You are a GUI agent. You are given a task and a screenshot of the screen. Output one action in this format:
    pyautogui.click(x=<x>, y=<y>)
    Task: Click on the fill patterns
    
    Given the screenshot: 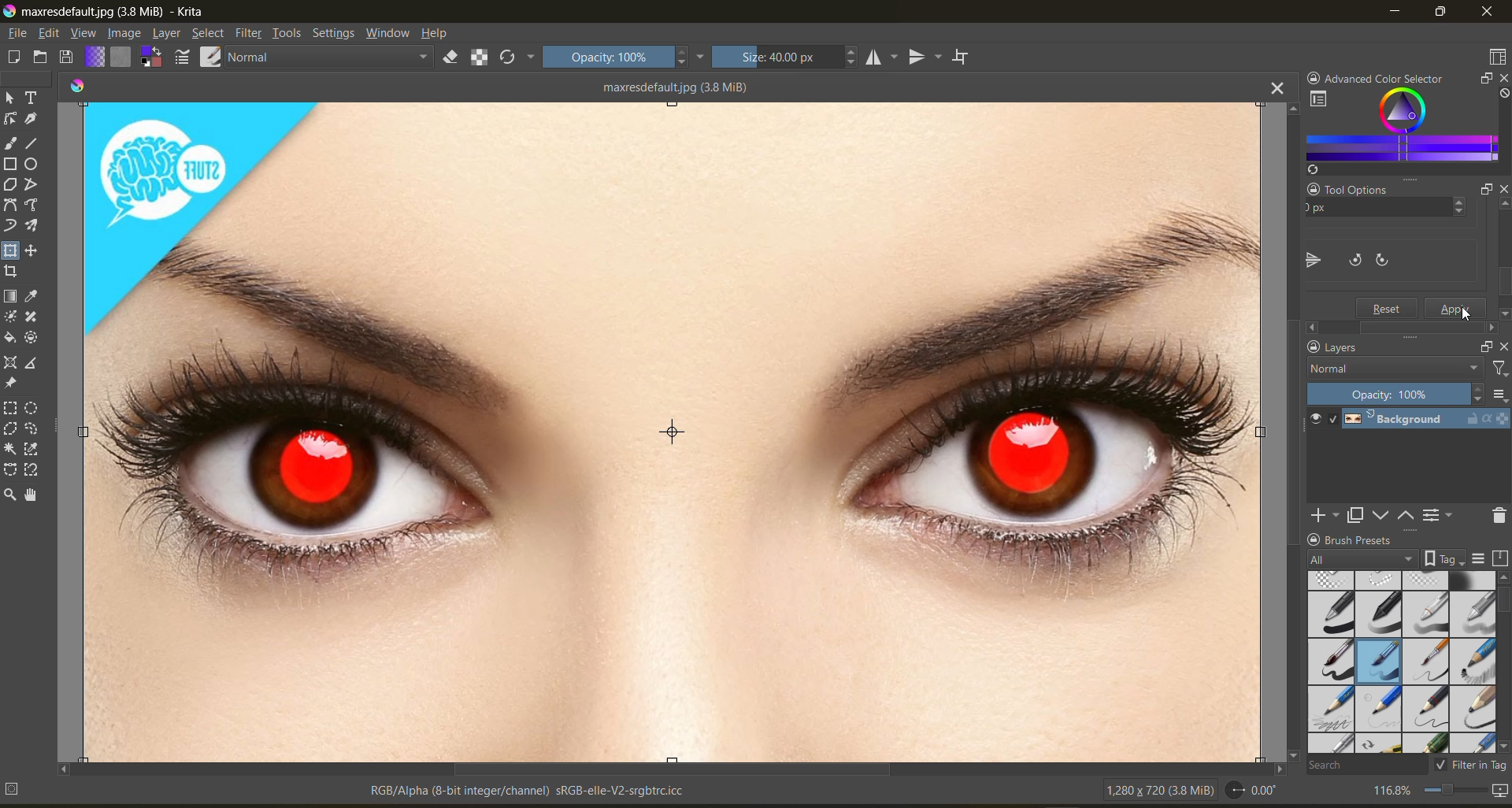 What is the action you would take?
    pyautogui.click(x=123, y=57)
    